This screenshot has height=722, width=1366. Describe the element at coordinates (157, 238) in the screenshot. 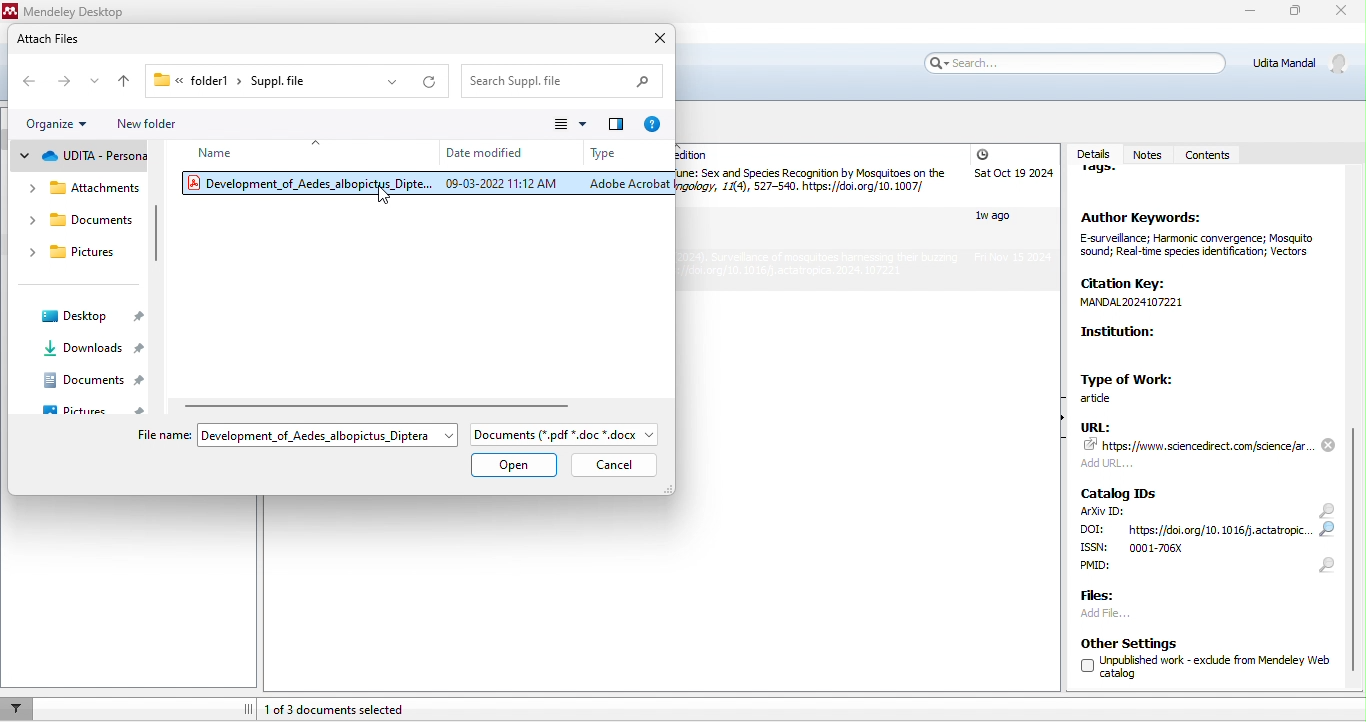

I see `vertical scroll bar` at that location.